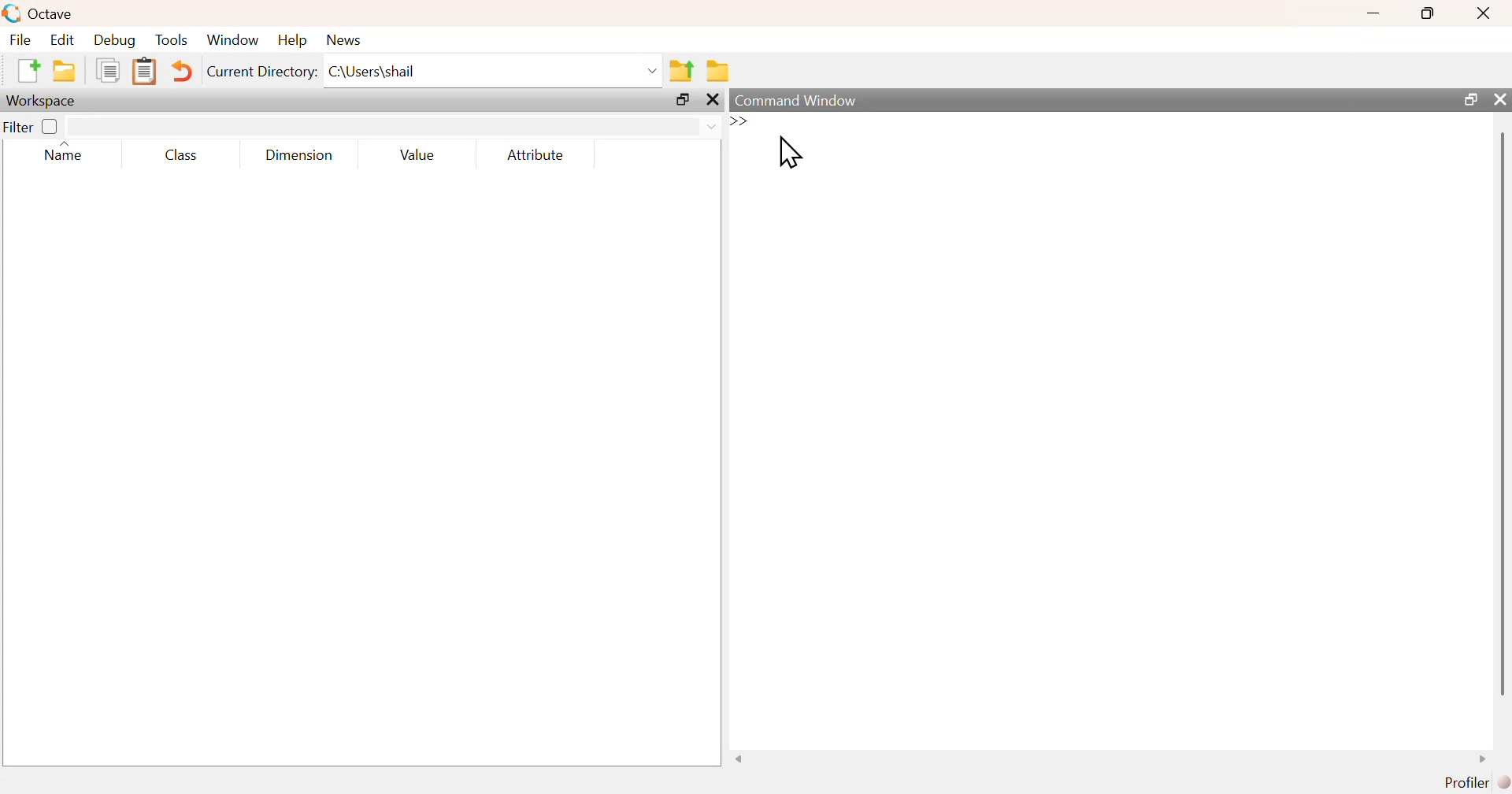  Describe the element at coordinates (301, 155) in the screenshot. I see `Dimension` at that location.